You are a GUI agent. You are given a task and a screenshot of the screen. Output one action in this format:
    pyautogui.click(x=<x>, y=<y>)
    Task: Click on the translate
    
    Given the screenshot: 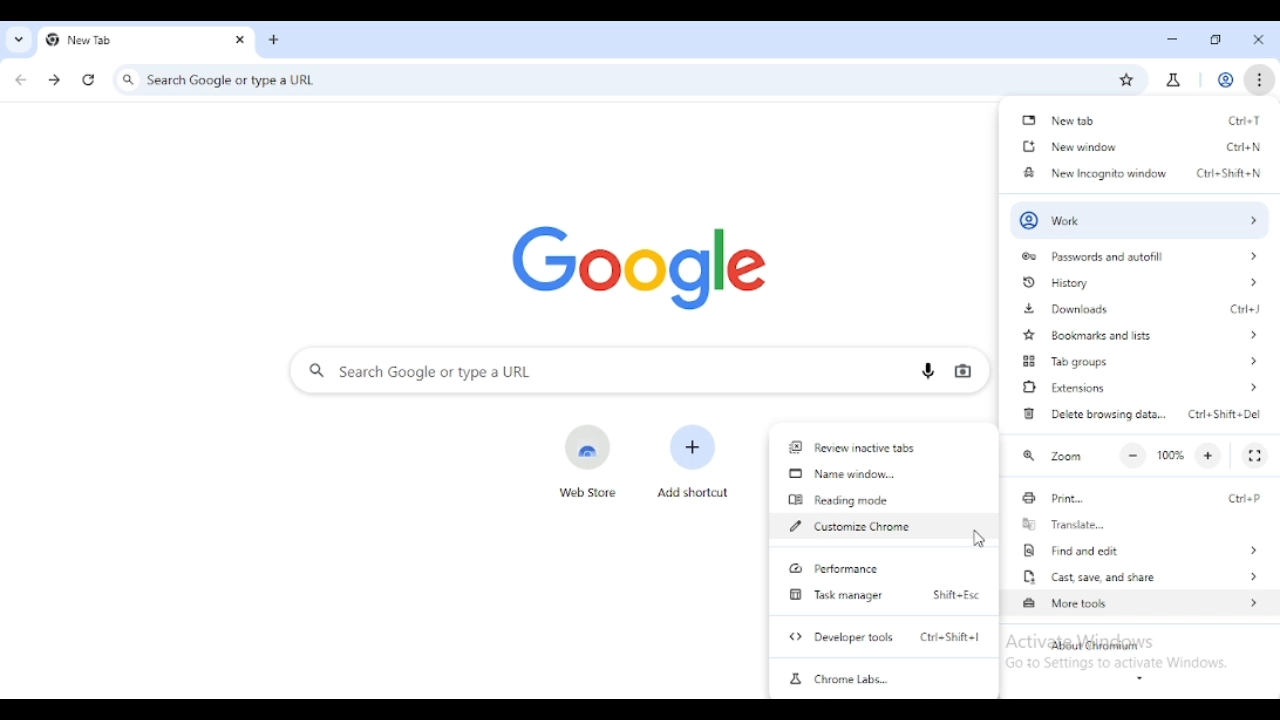 What is the action you would take?
    pyautogui.click(x=1067, y=524)
    